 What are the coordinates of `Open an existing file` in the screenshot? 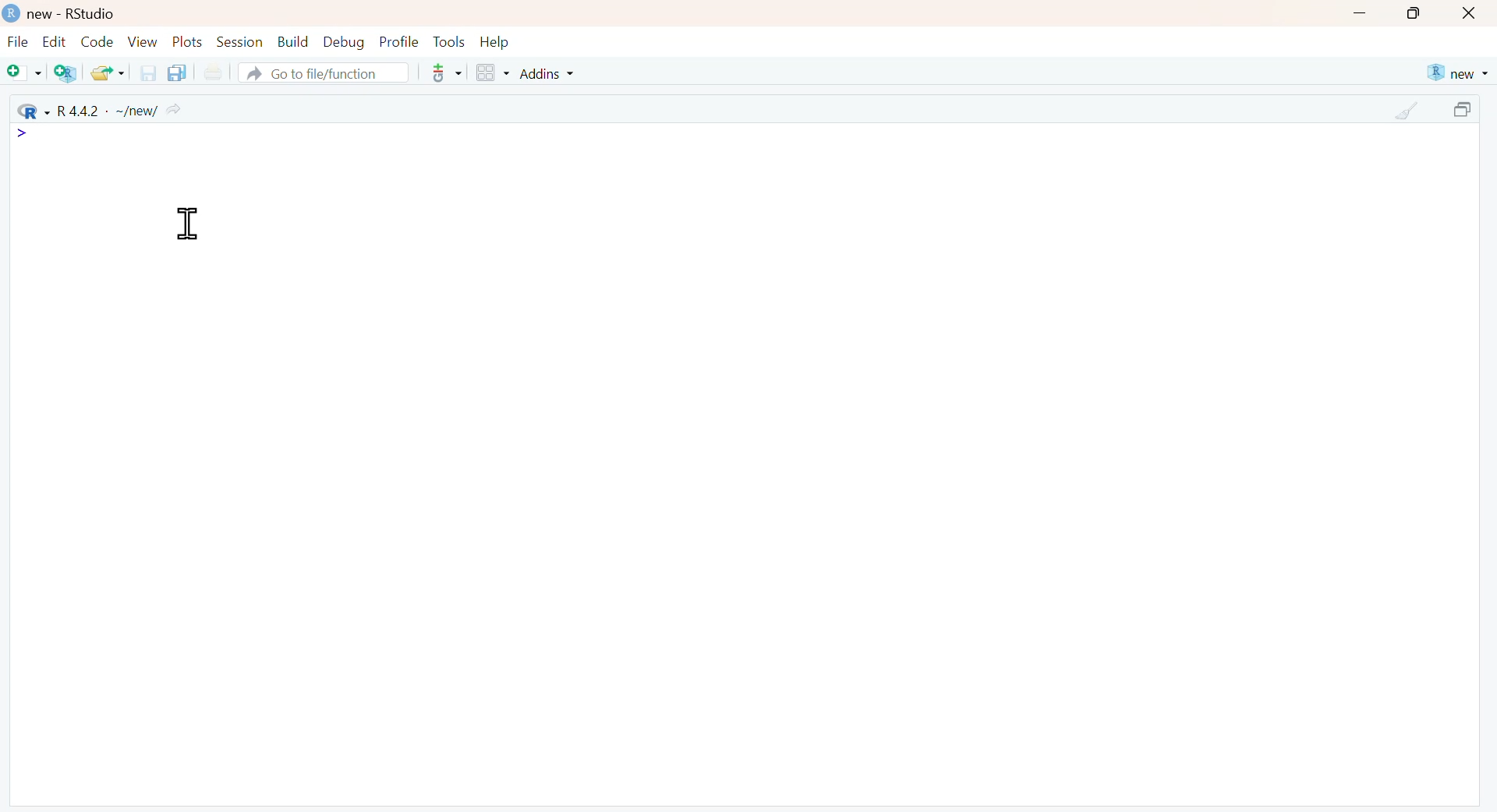 It's located at (107, 72).